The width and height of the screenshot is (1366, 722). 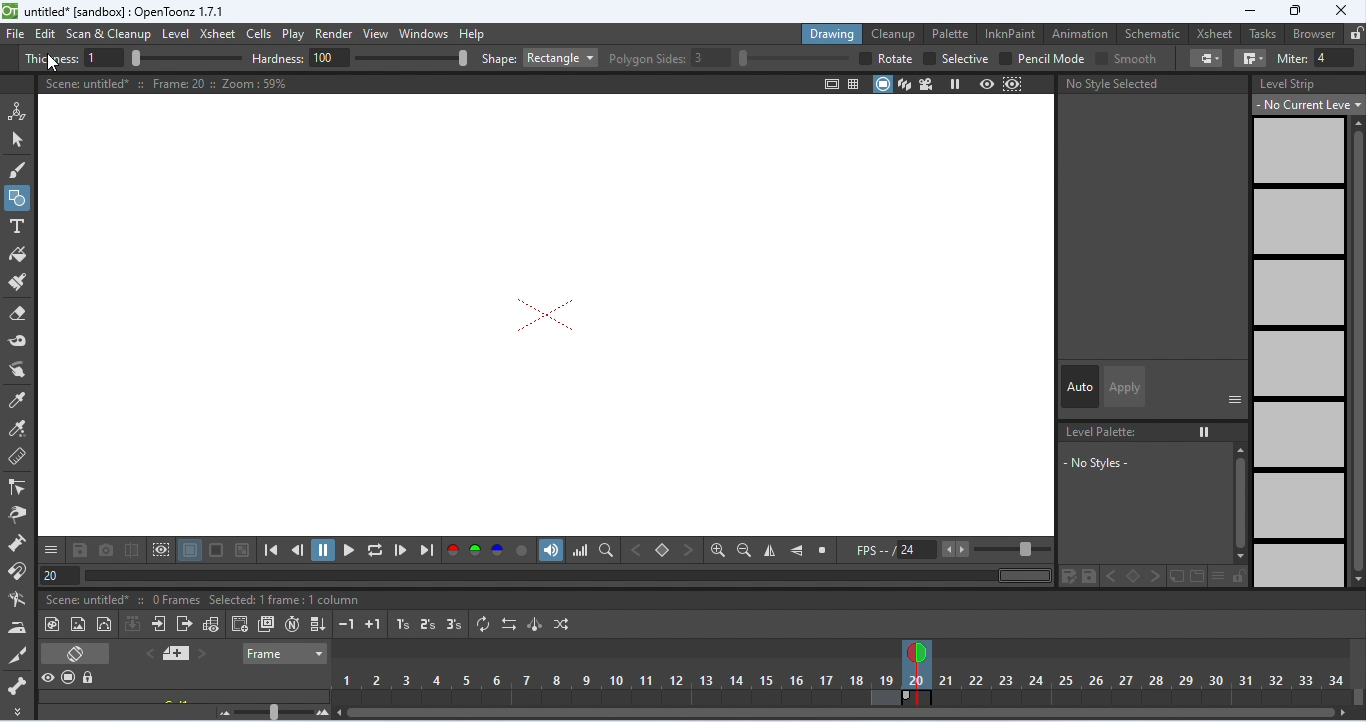 I want to click on thickness, so click(x=134, y=57).